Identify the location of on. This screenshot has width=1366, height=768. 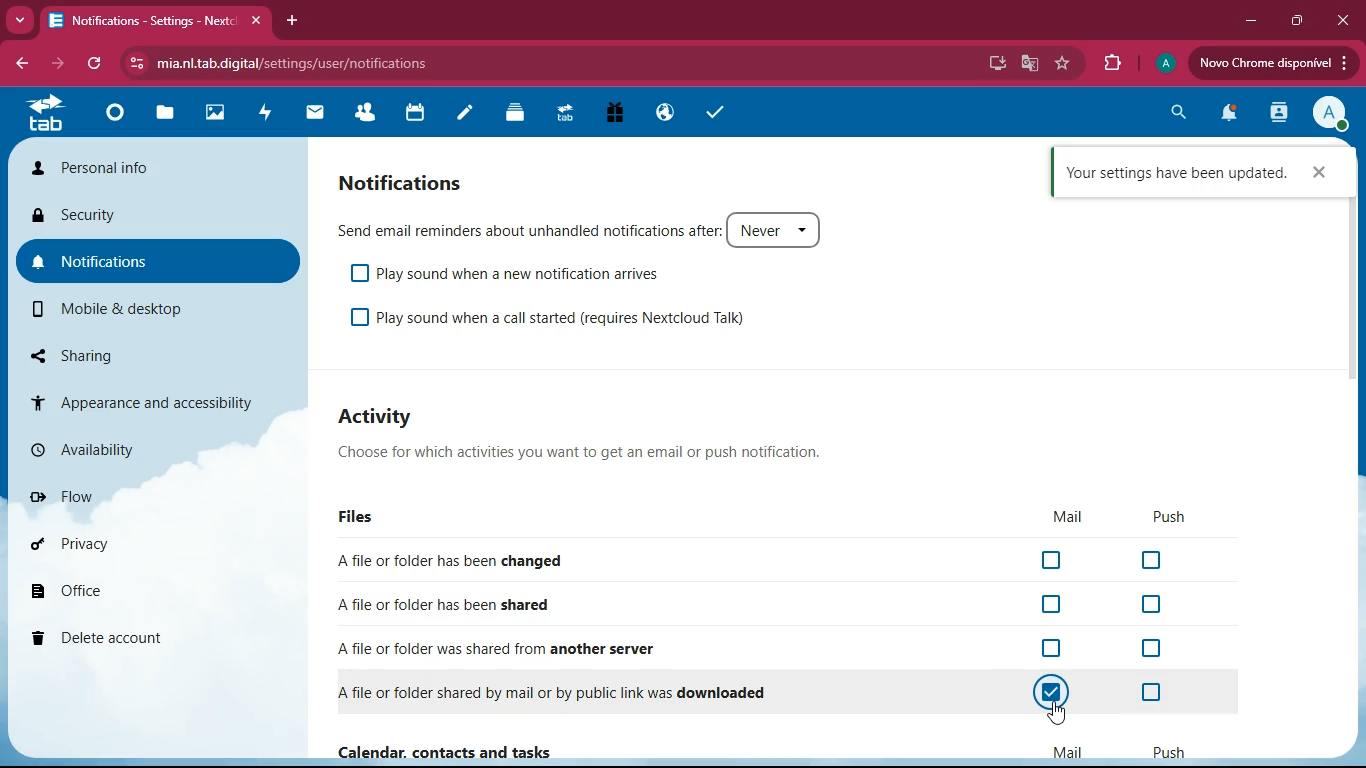
(1053, 692).